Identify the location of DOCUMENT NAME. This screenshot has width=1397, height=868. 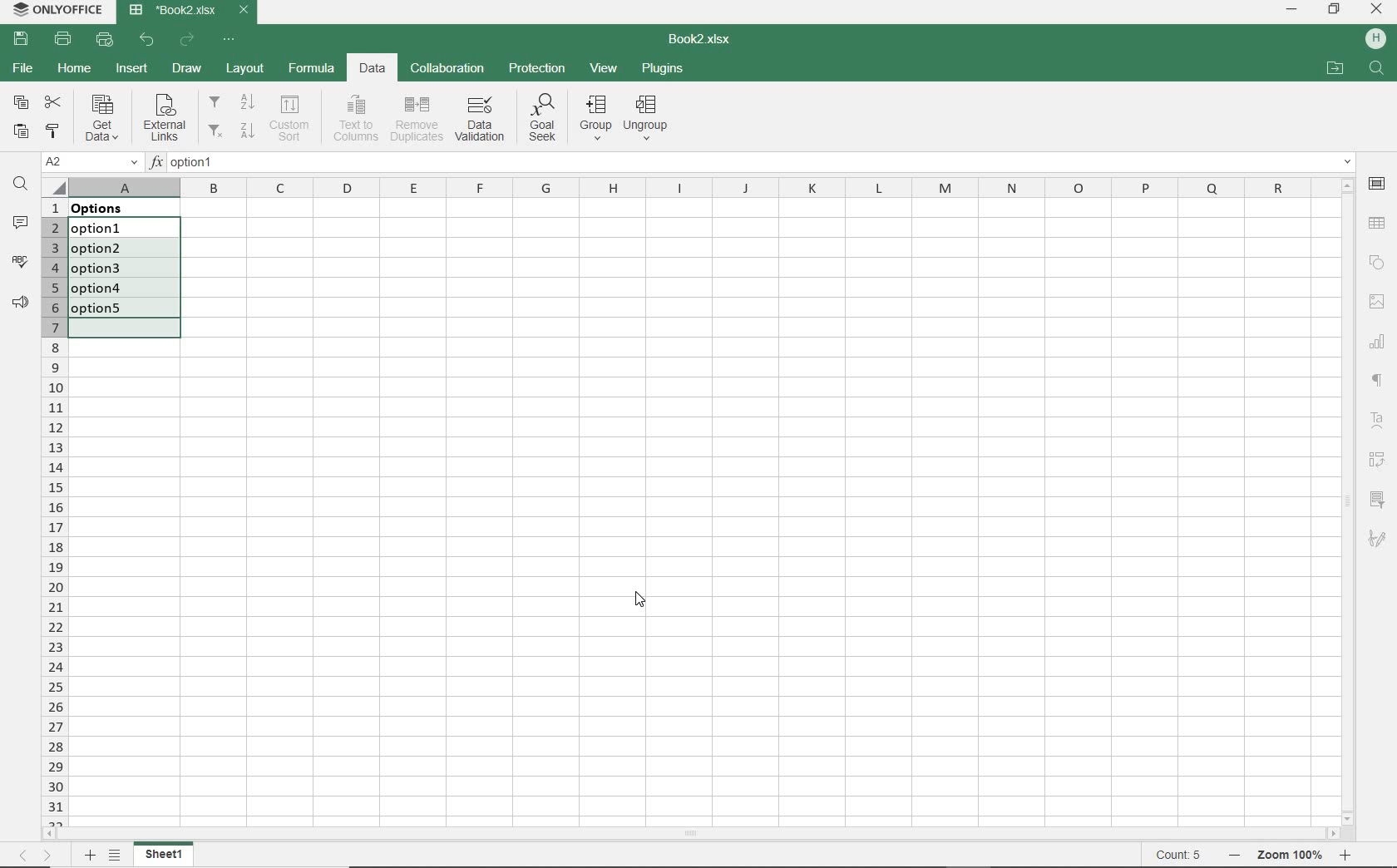
(708, 40).